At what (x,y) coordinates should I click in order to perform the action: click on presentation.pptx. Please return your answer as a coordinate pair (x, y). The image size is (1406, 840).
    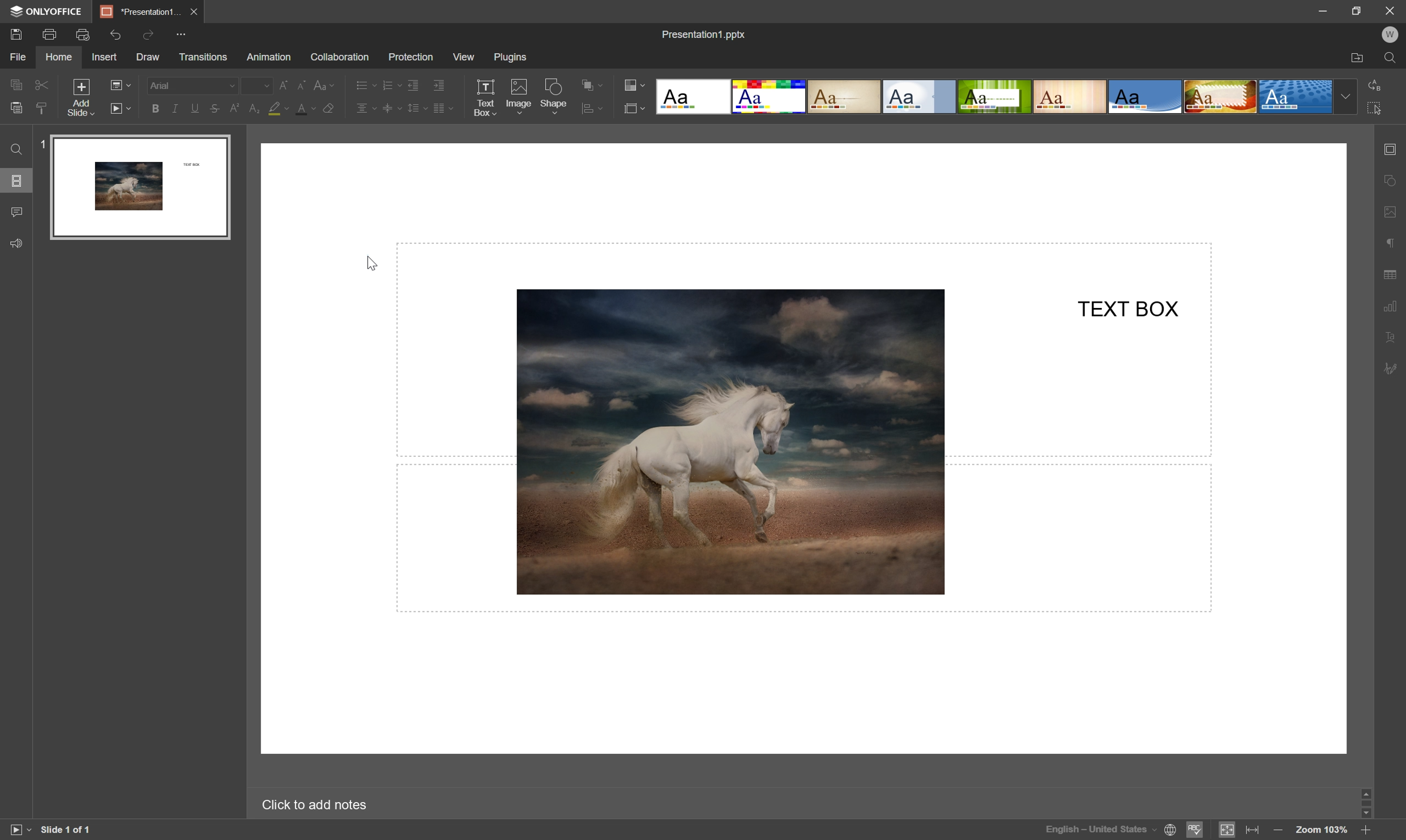
    Looking at the image, I should click on (703, 34).